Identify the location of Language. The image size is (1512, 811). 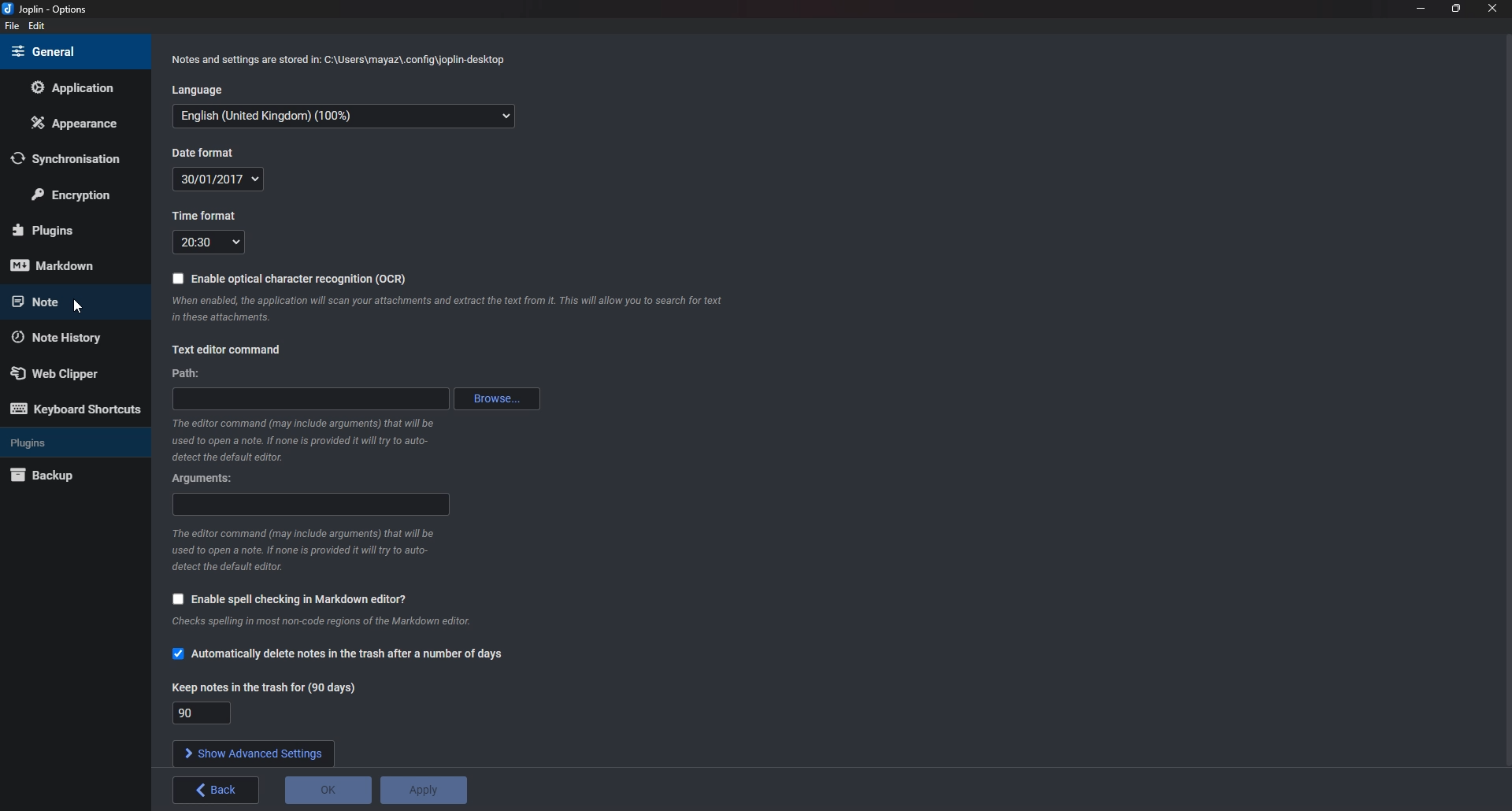
(343, 116).